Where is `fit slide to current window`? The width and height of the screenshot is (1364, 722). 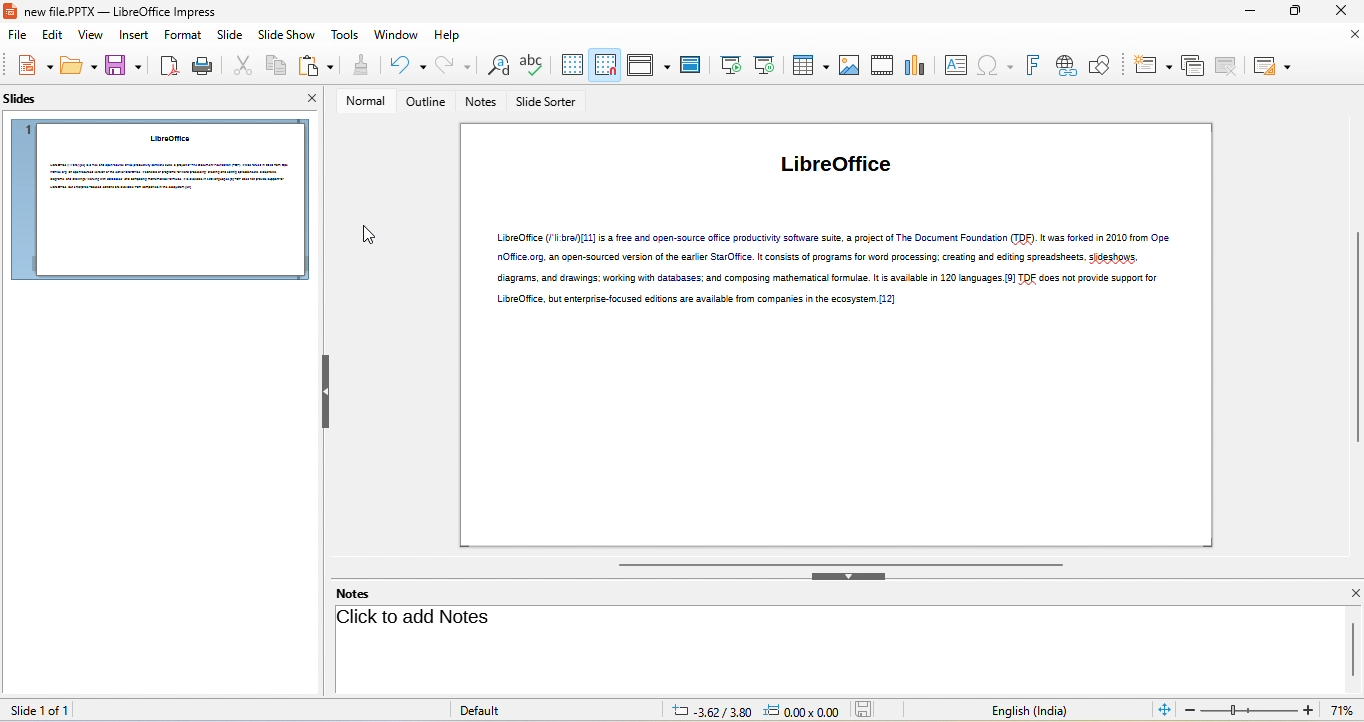
fit slide to current window is located at coordinates (1165, 711).